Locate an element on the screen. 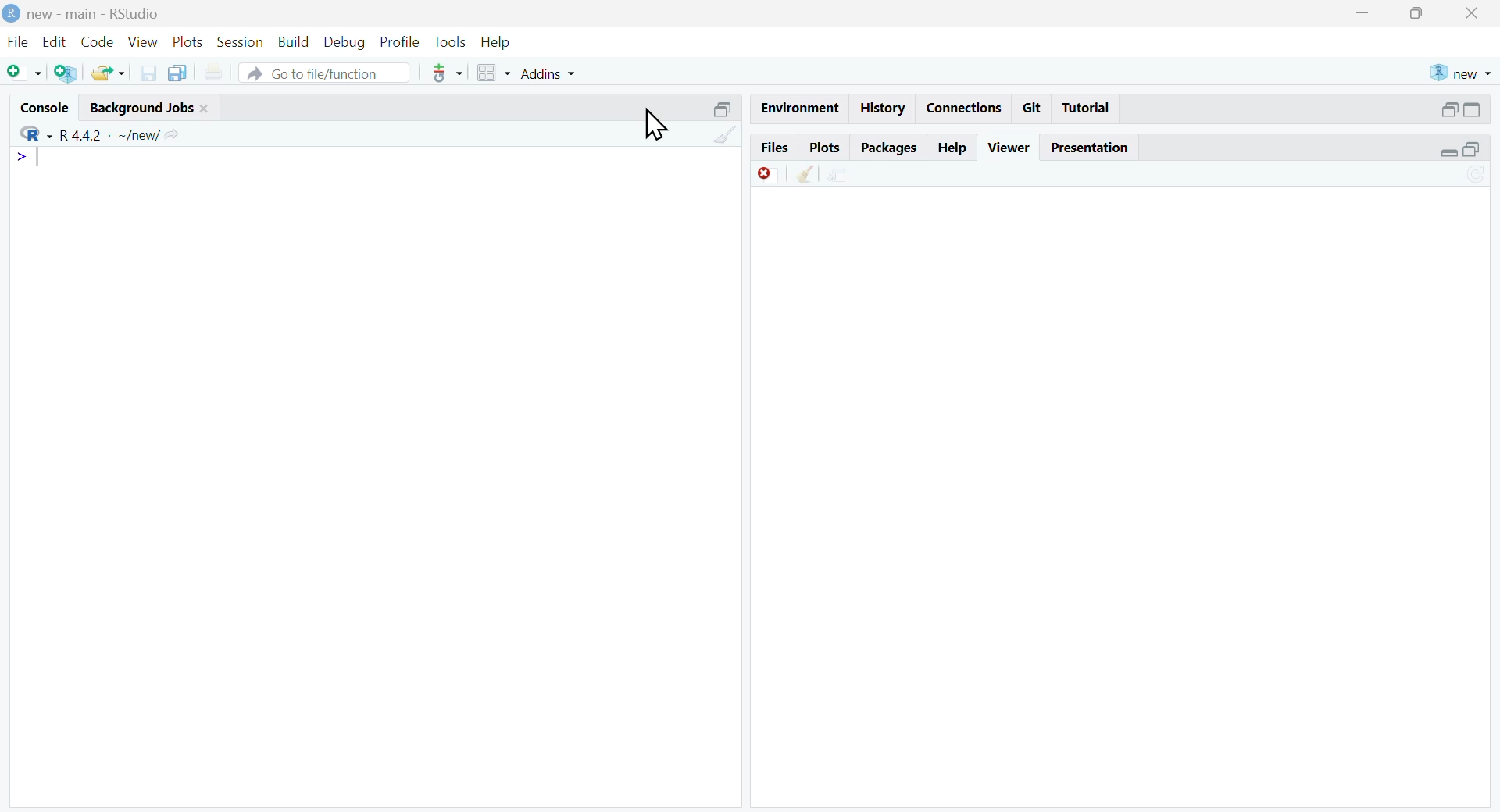 The height and width of the screenshot is (812, 1500). minimise is located at coordinates (1363, 12).